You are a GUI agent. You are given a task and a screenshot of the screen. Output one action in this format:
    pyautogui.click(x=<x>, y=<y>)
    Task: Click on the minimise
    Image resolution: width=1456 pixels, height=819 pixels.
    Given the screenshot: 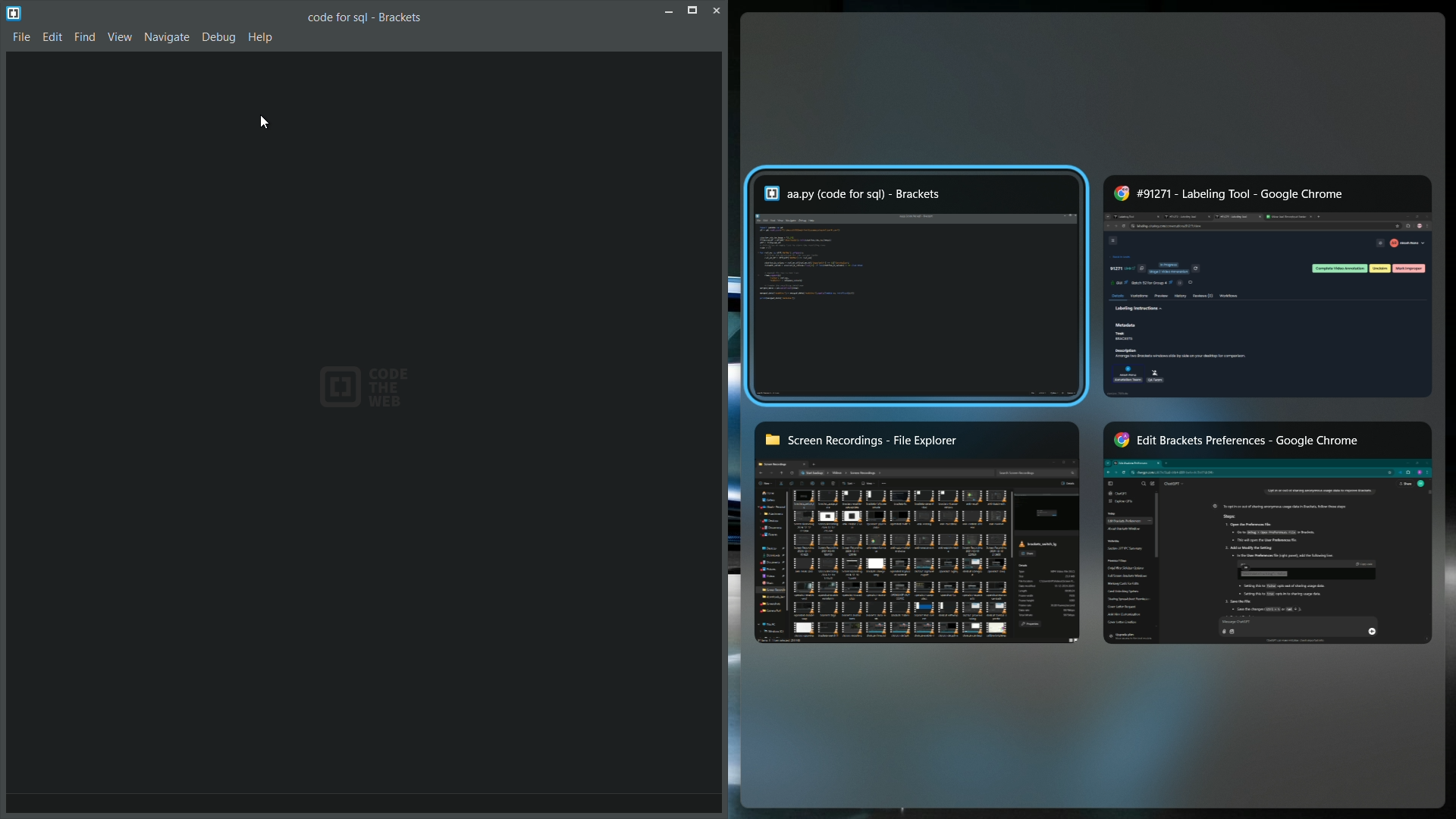 What is the action you would take?
    pyautogui.click(x=669, y=12)
    